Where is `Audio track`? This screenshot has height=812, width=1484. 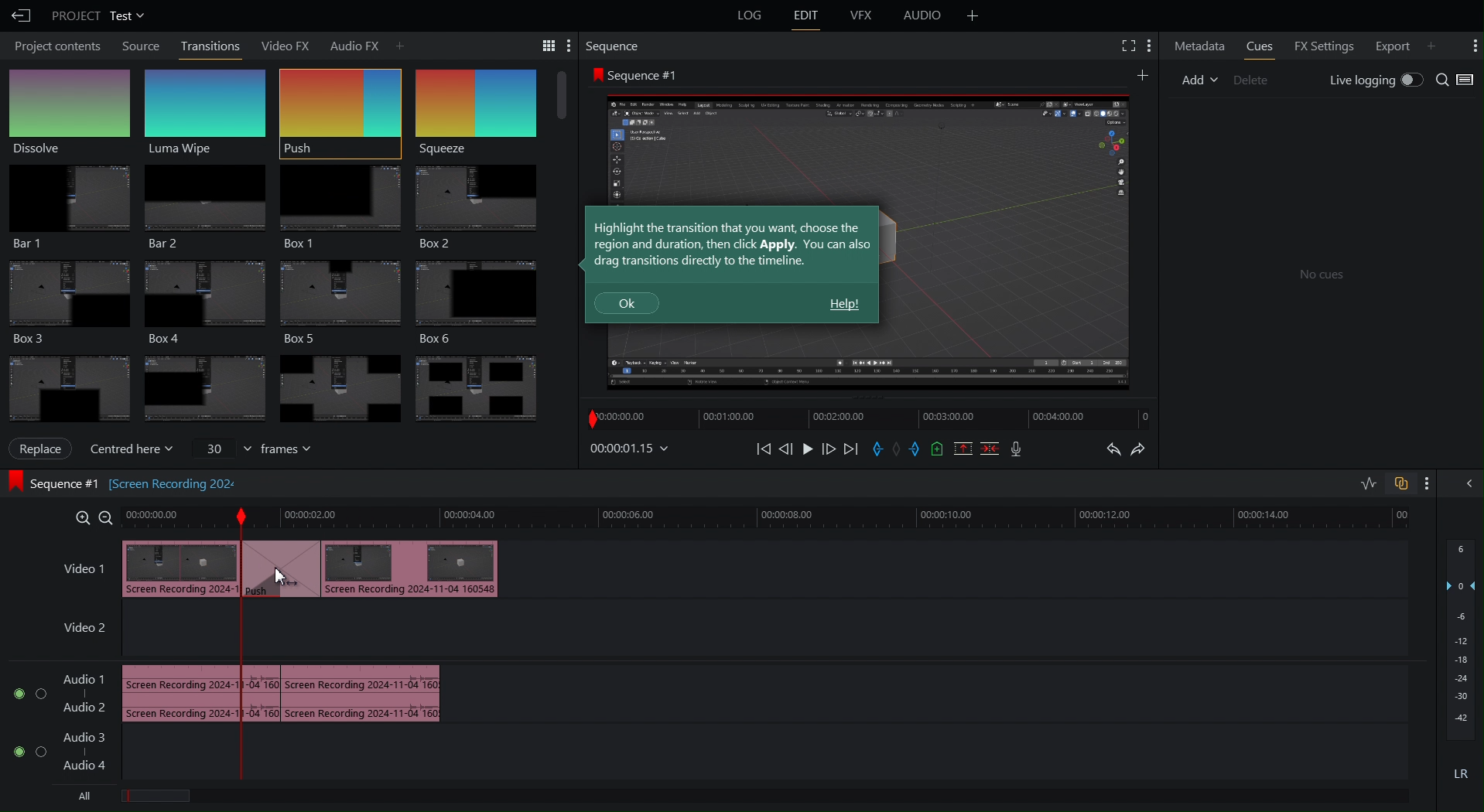 Audio track is located at coordinates (282, 691).